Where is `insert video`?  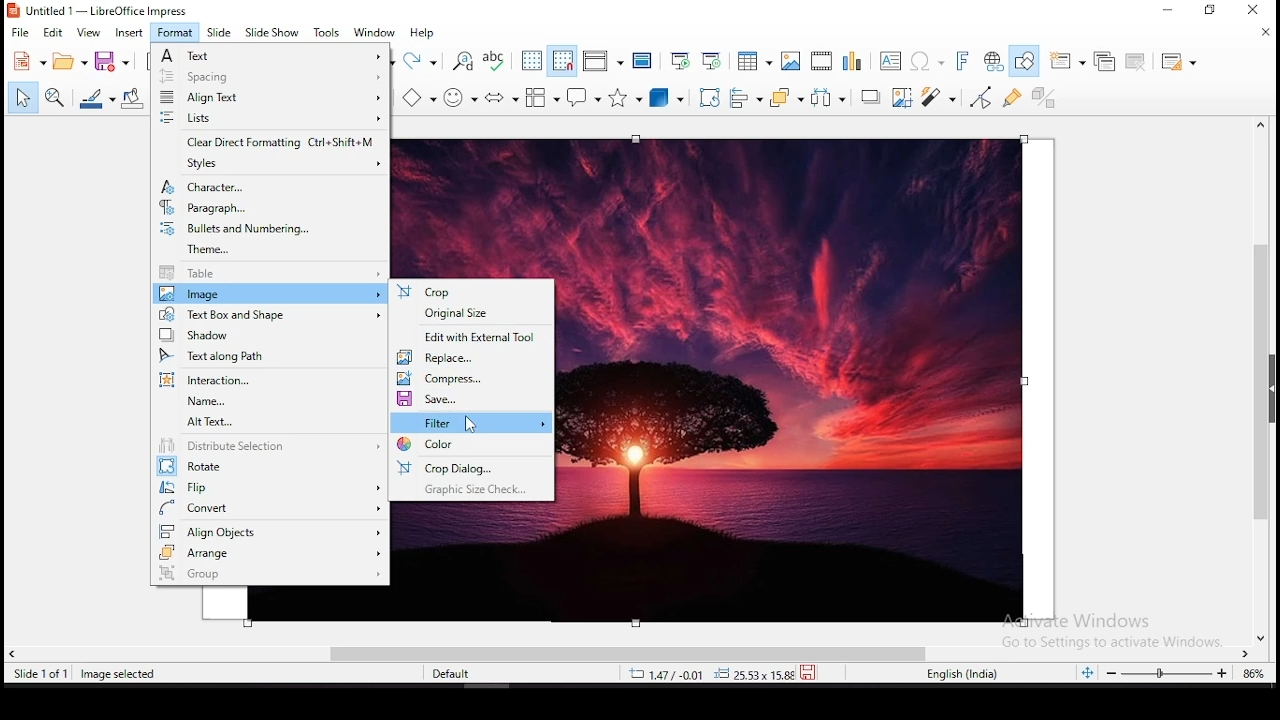
insert video is located at coordinates (821, 62).